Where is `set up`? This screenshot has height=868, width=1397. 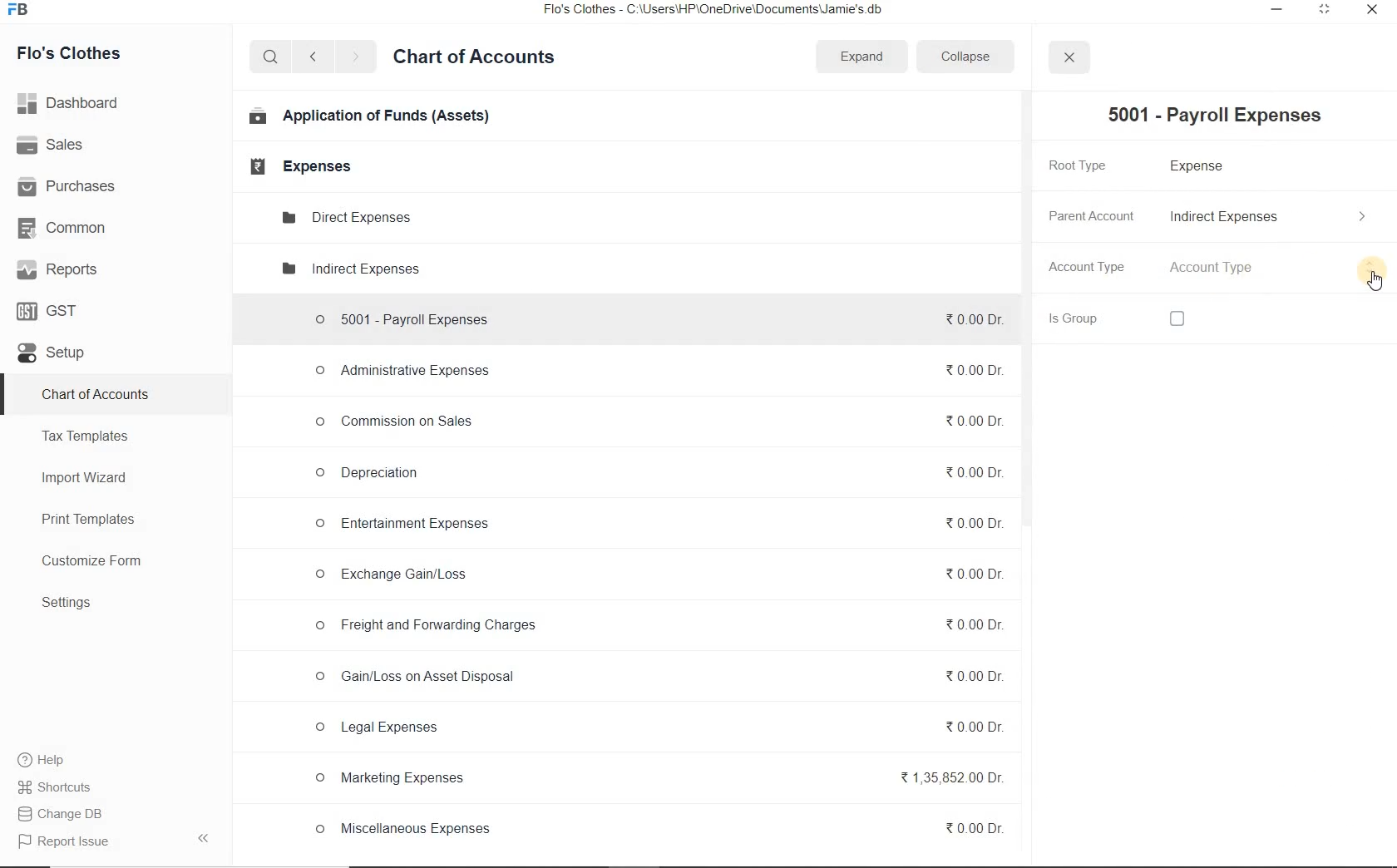 set up is located at coordinates (52, 354).